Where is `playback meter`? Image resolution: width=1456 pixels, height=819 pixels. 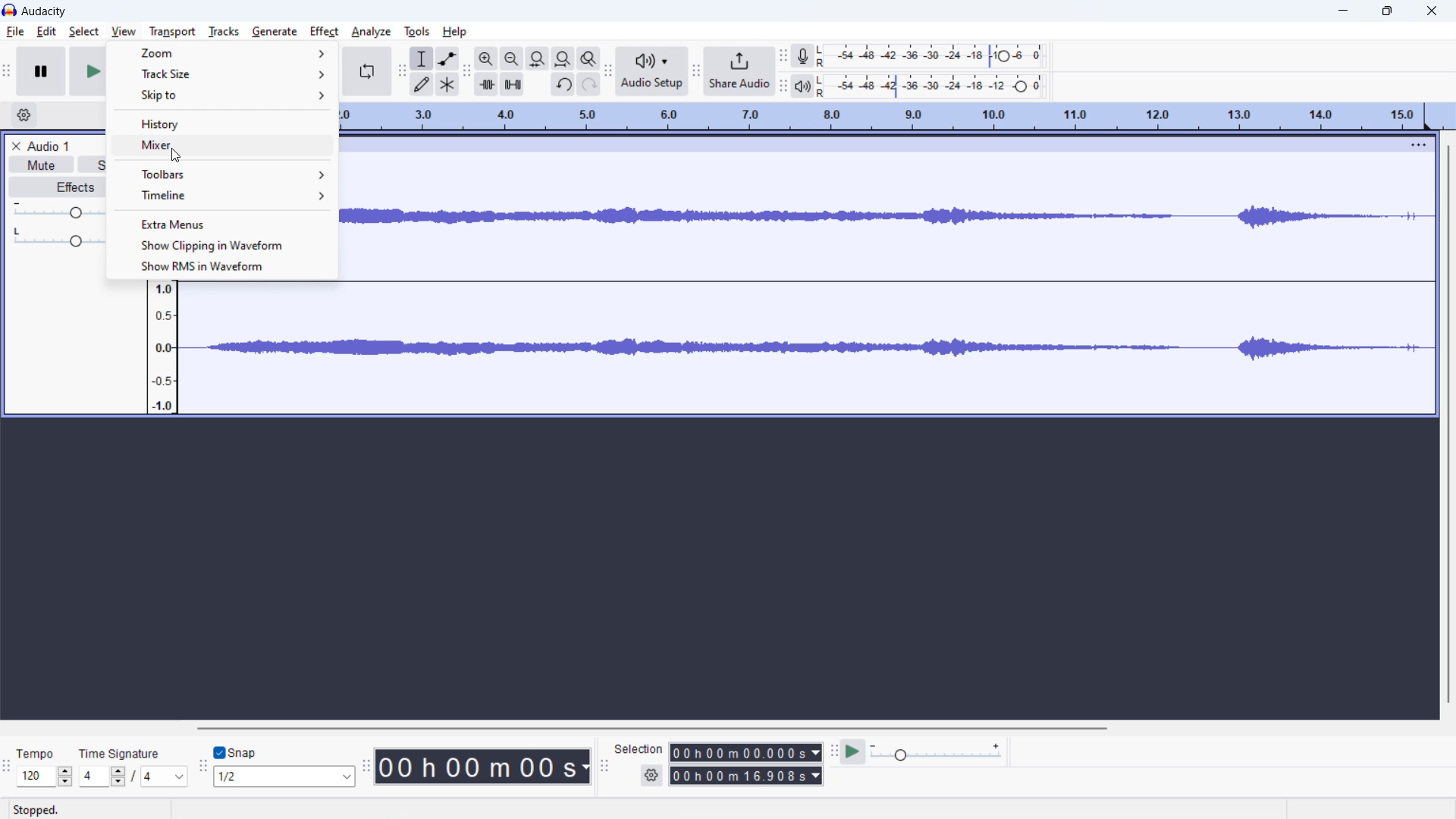 playback meter is located at coordinates (803, 86).